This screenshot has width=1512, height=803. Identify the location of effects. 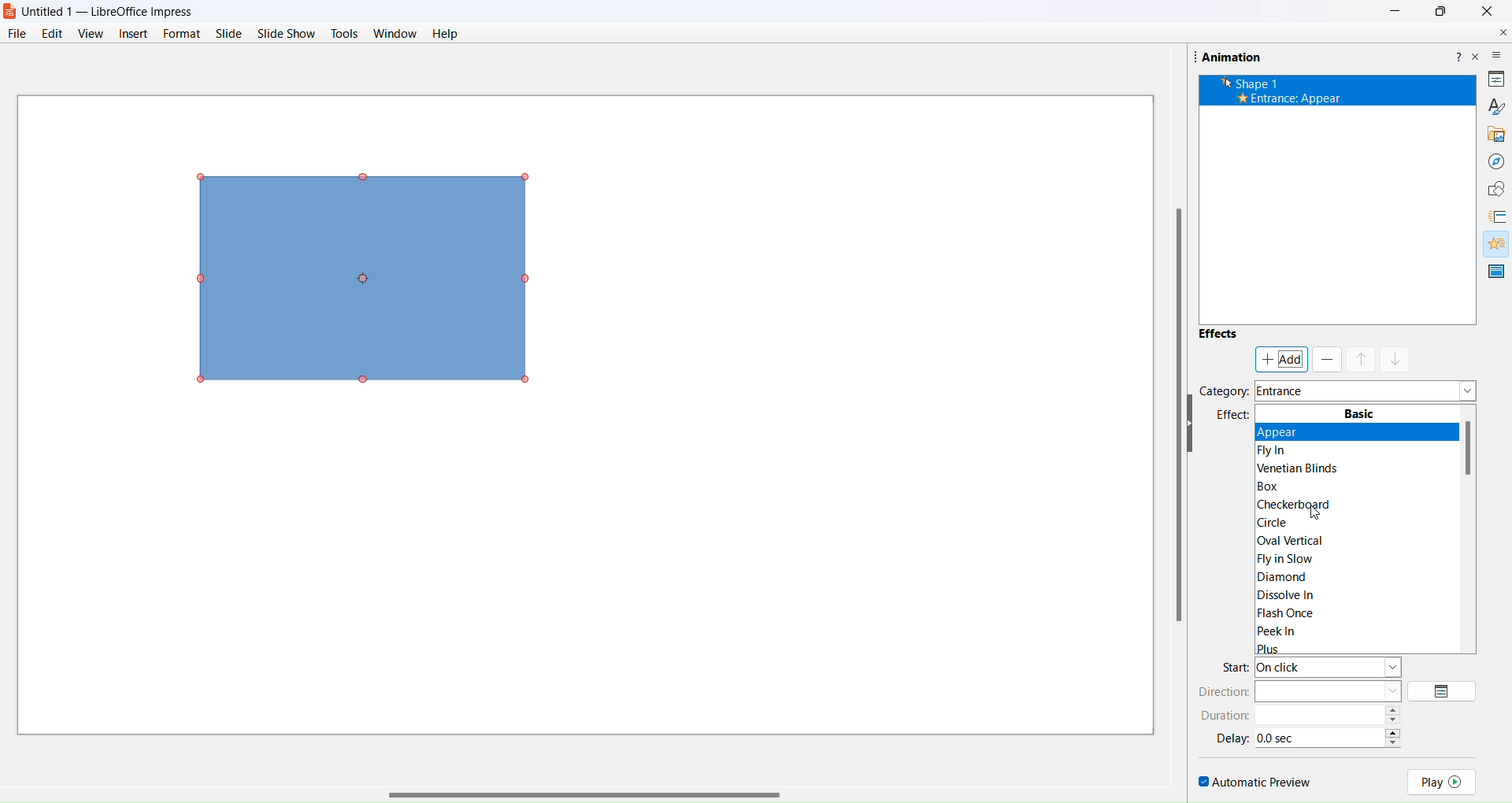
(1224, 416).